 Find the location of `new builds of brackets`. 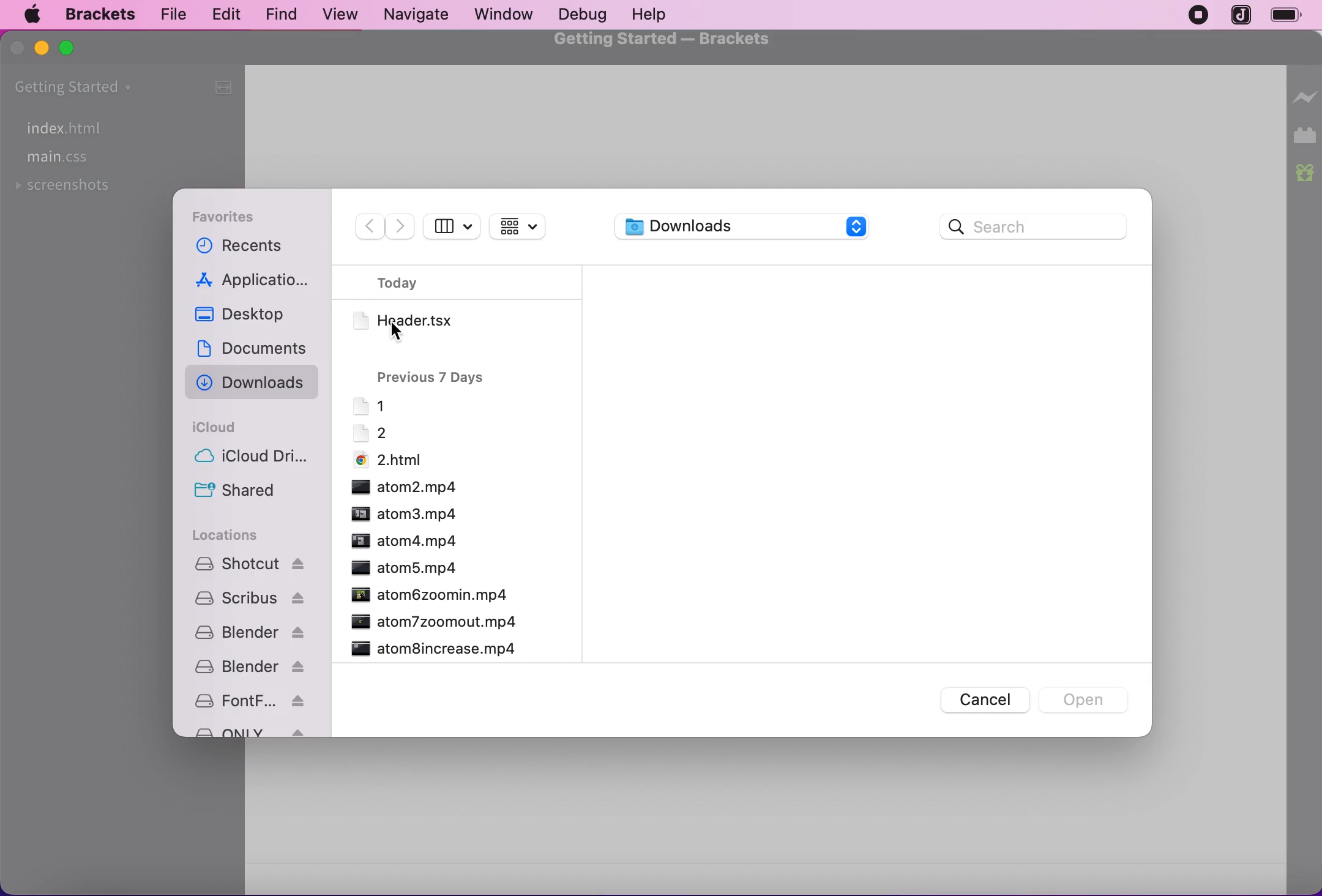

new builds of brackets is located at coordinates (1306, 174).